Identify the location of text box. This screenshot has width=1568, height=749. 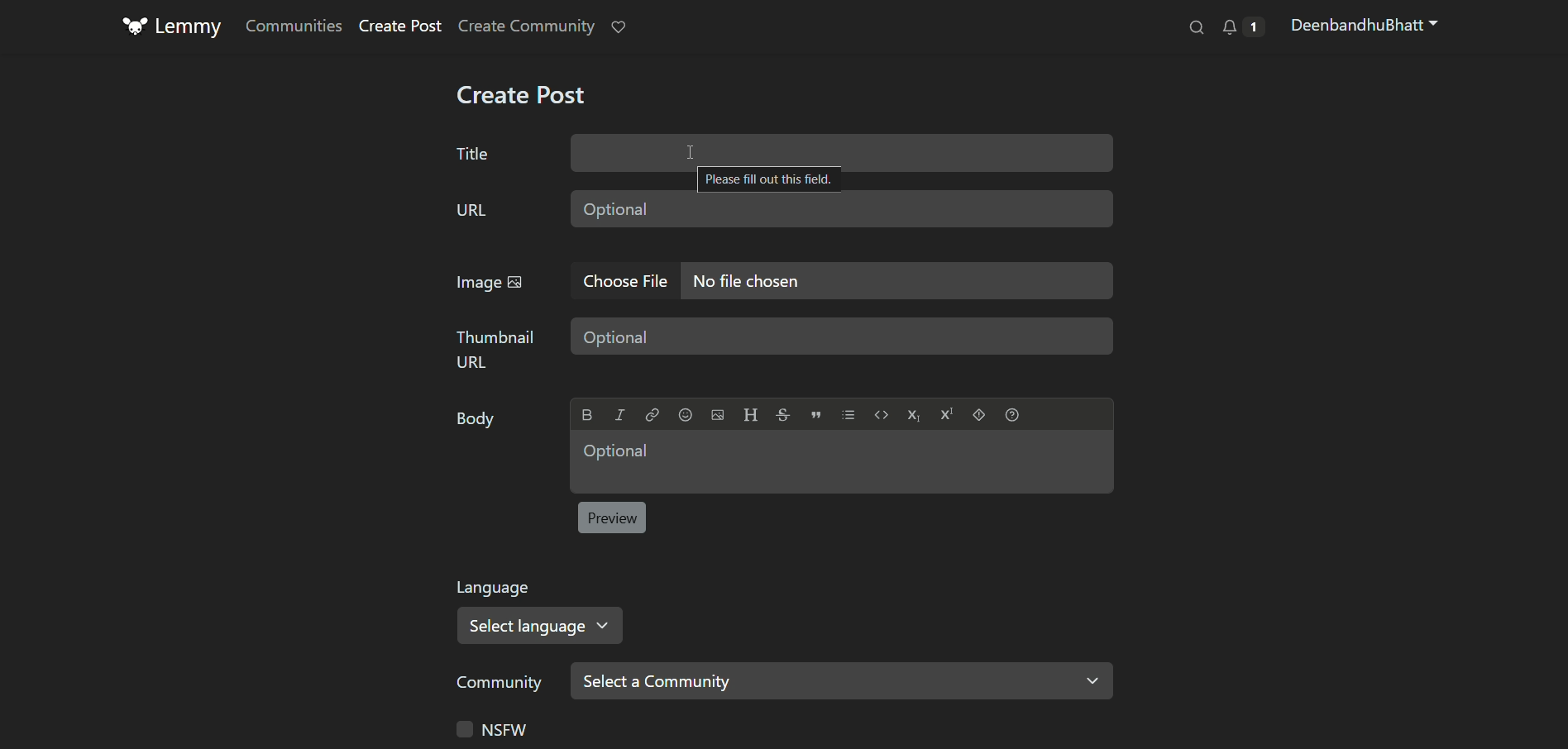
(842, 208).